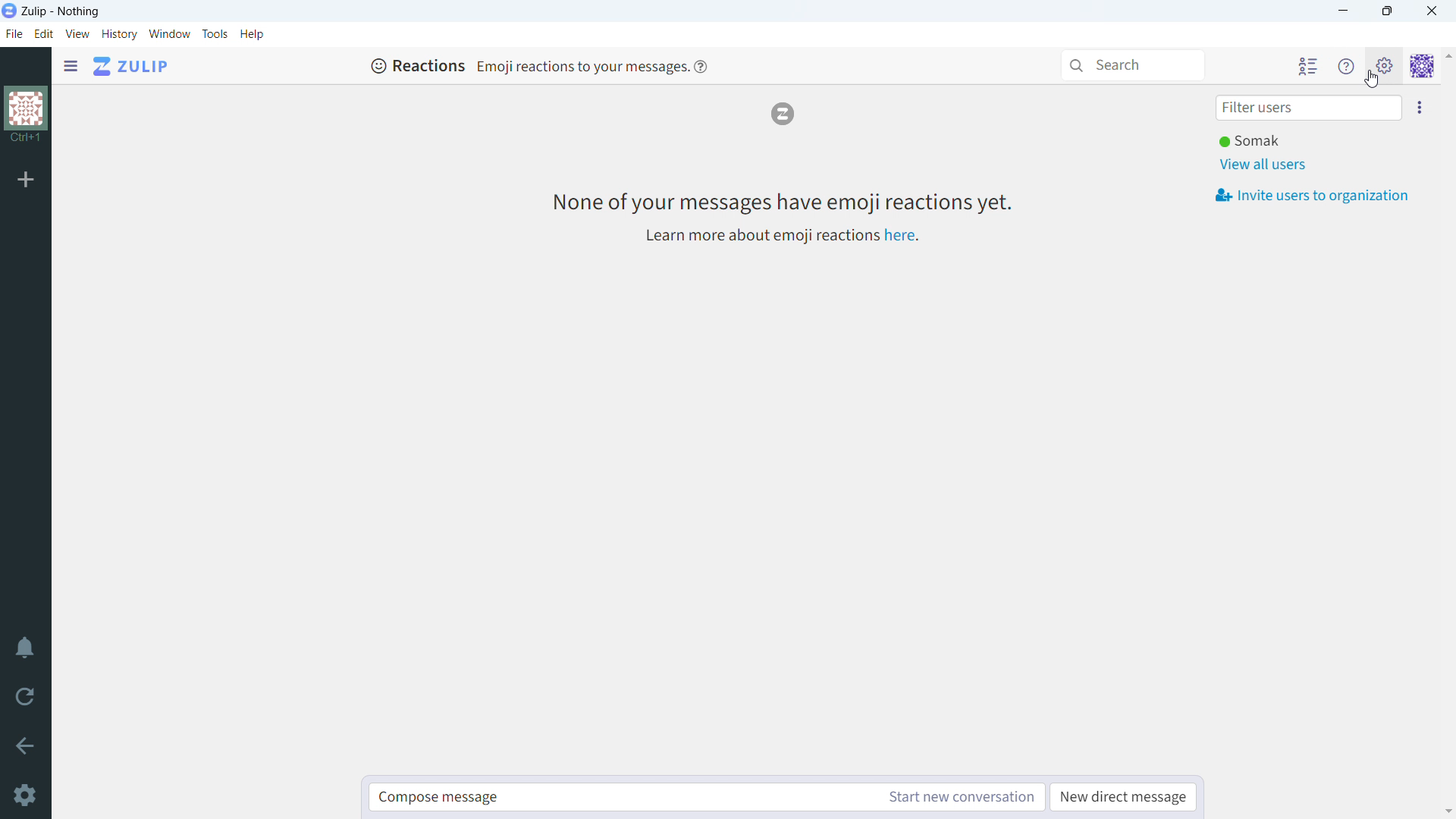  Describe the element at coordinates (1431, 11) in the screenshot. I see `close` at that location.